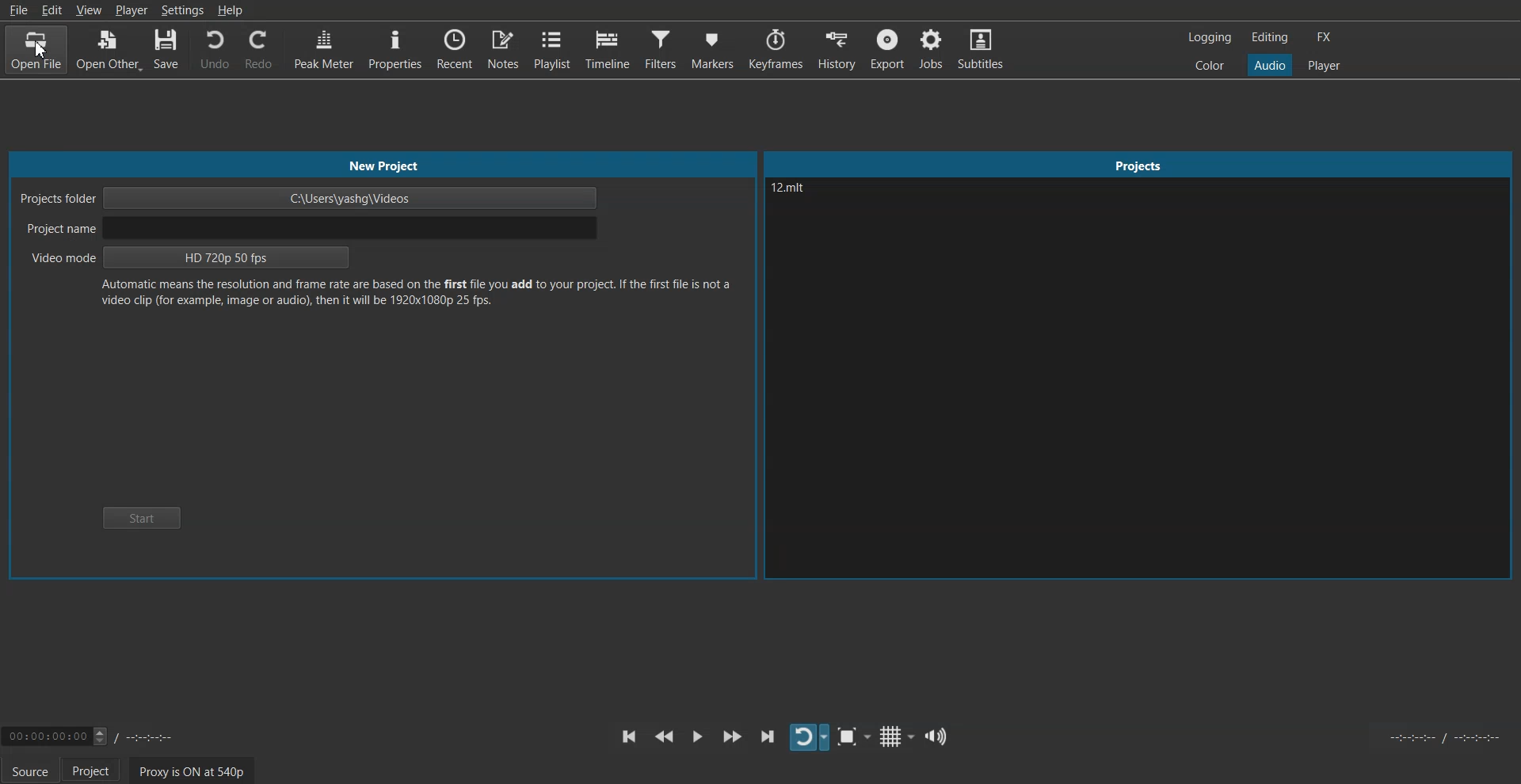  I want to click on Play Quickly Forwards, so click(732, 736).